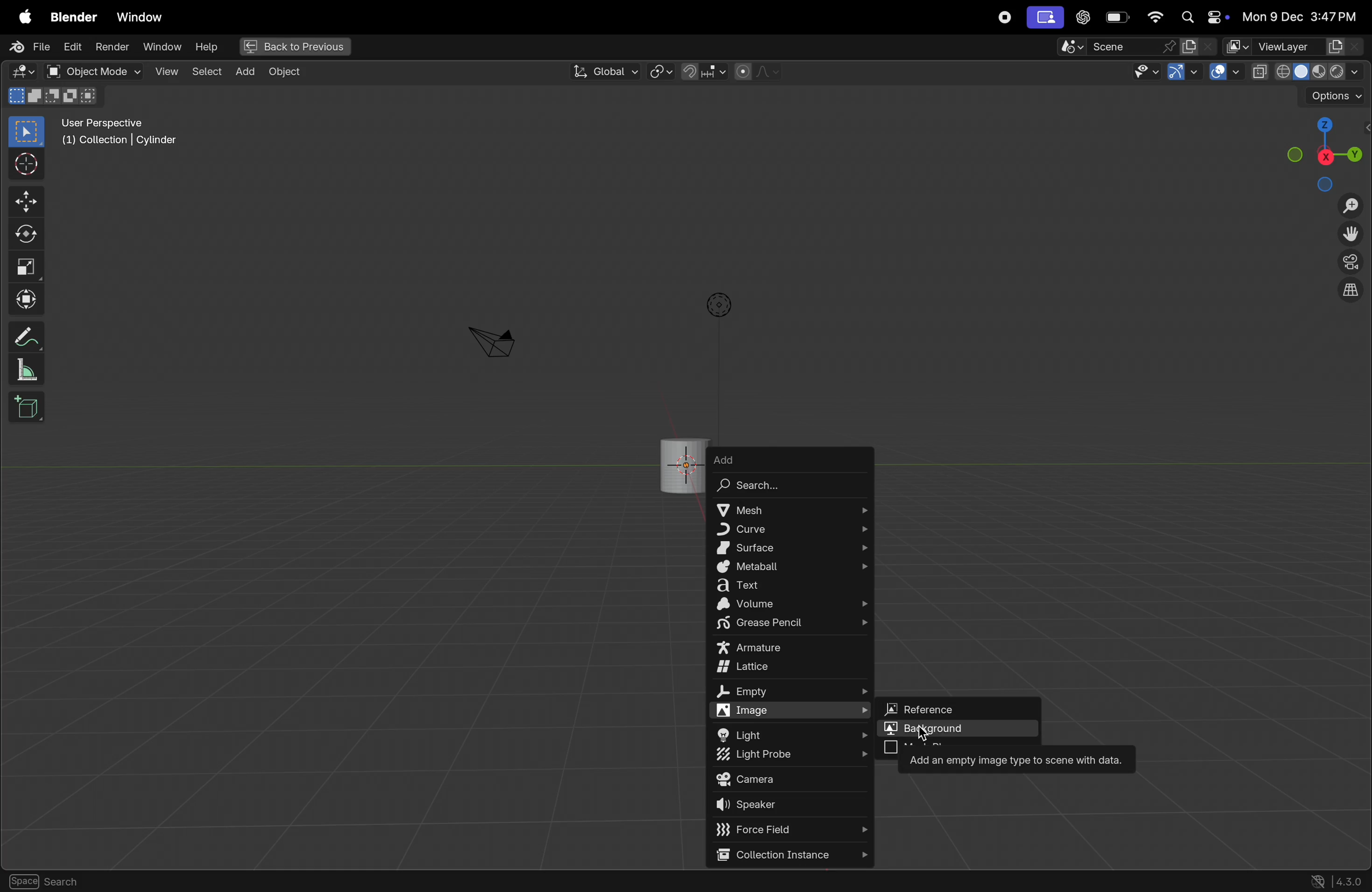 The image size is (1372, 892). What do you see at coordinates (793, 710) in the screenshot?
I see `image` at bounding box center [793, 710].